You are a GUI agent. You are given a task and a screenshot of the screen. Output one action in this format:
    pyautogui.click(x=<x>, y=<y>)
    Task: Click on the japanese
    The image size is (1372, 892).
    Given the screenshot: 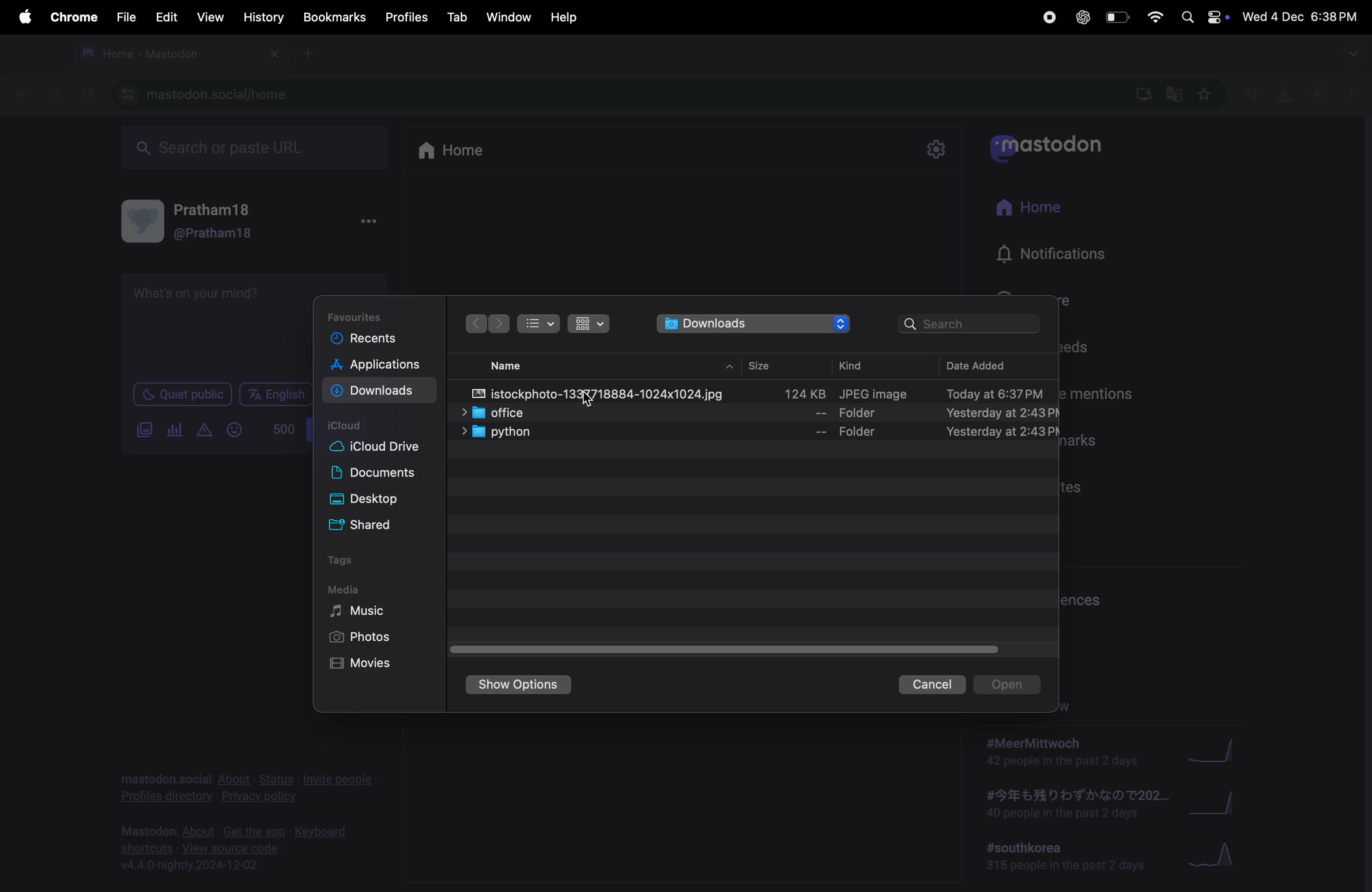 What is the action you would take?
    pyautogui.click(x=1071, y=805)
    